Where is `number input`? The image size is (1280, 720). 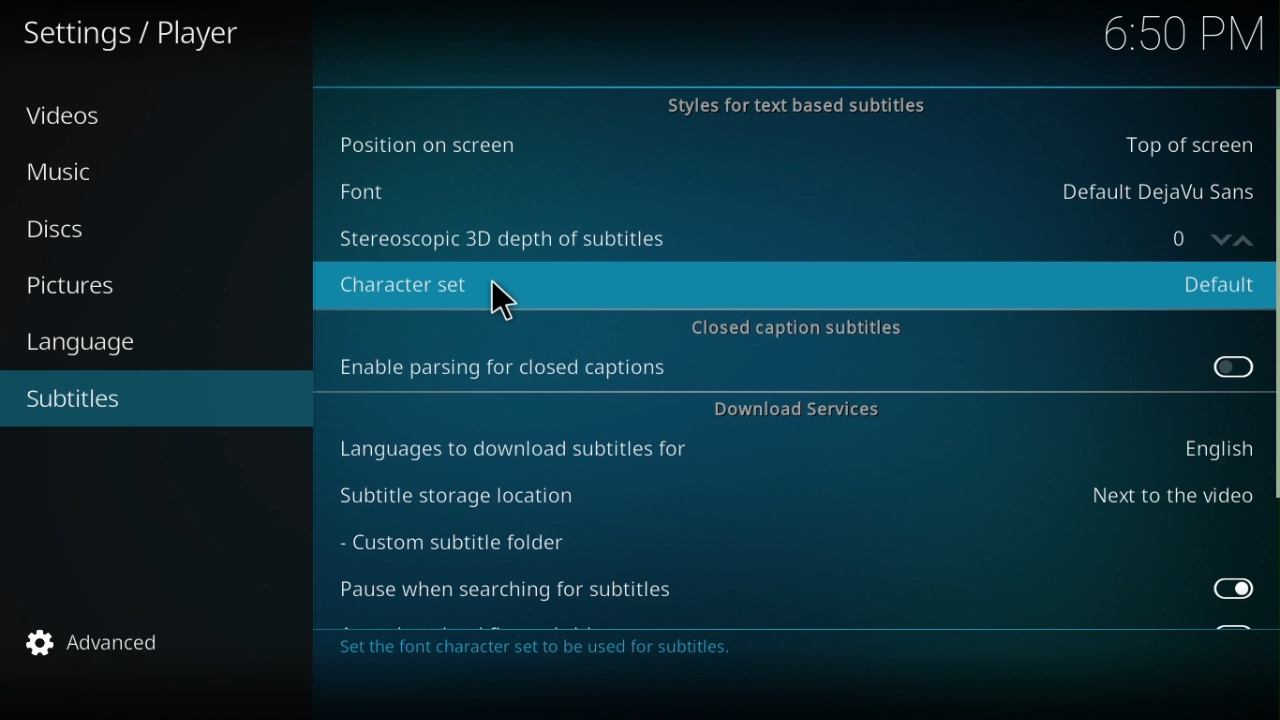
number input is located at coordinates (1197, 237).